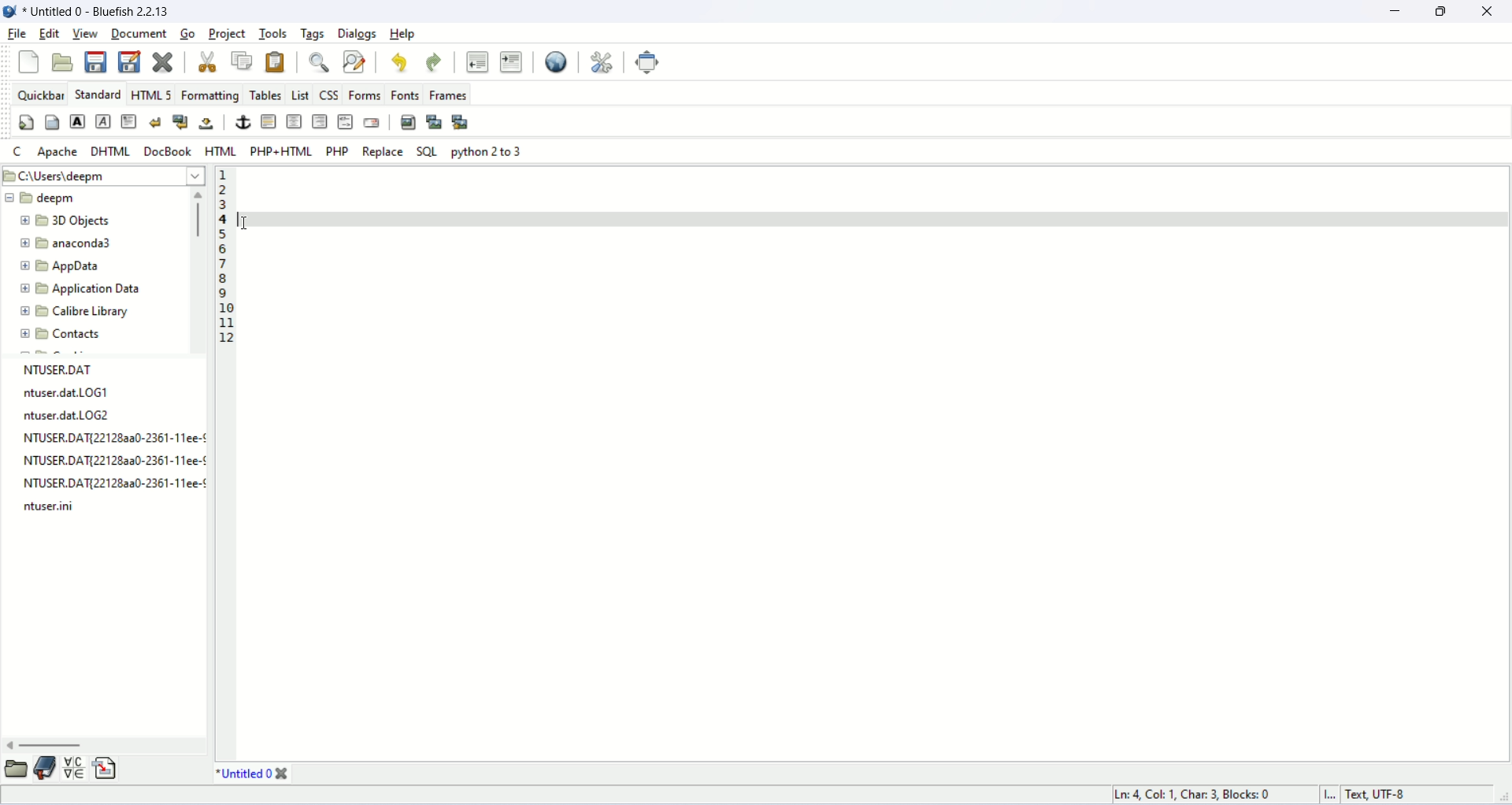  What do you see at coordinates (436, 121) in the screenshot?
I see `insert thumbnail` at bounding box center [436, 121].